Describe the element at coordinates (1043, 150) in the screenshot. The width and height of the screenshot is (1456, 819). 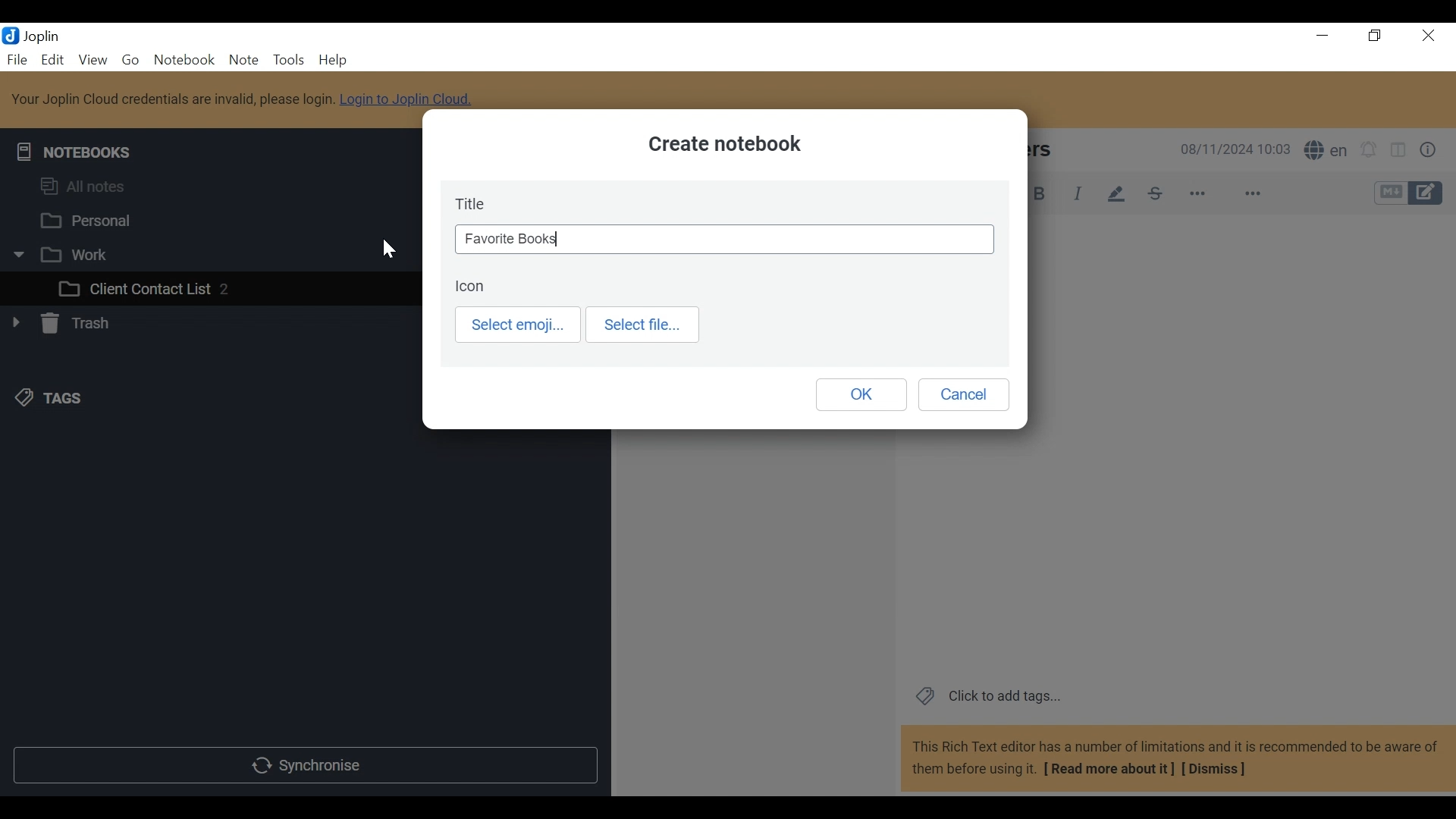
I see `Sammy Peters` at that location.